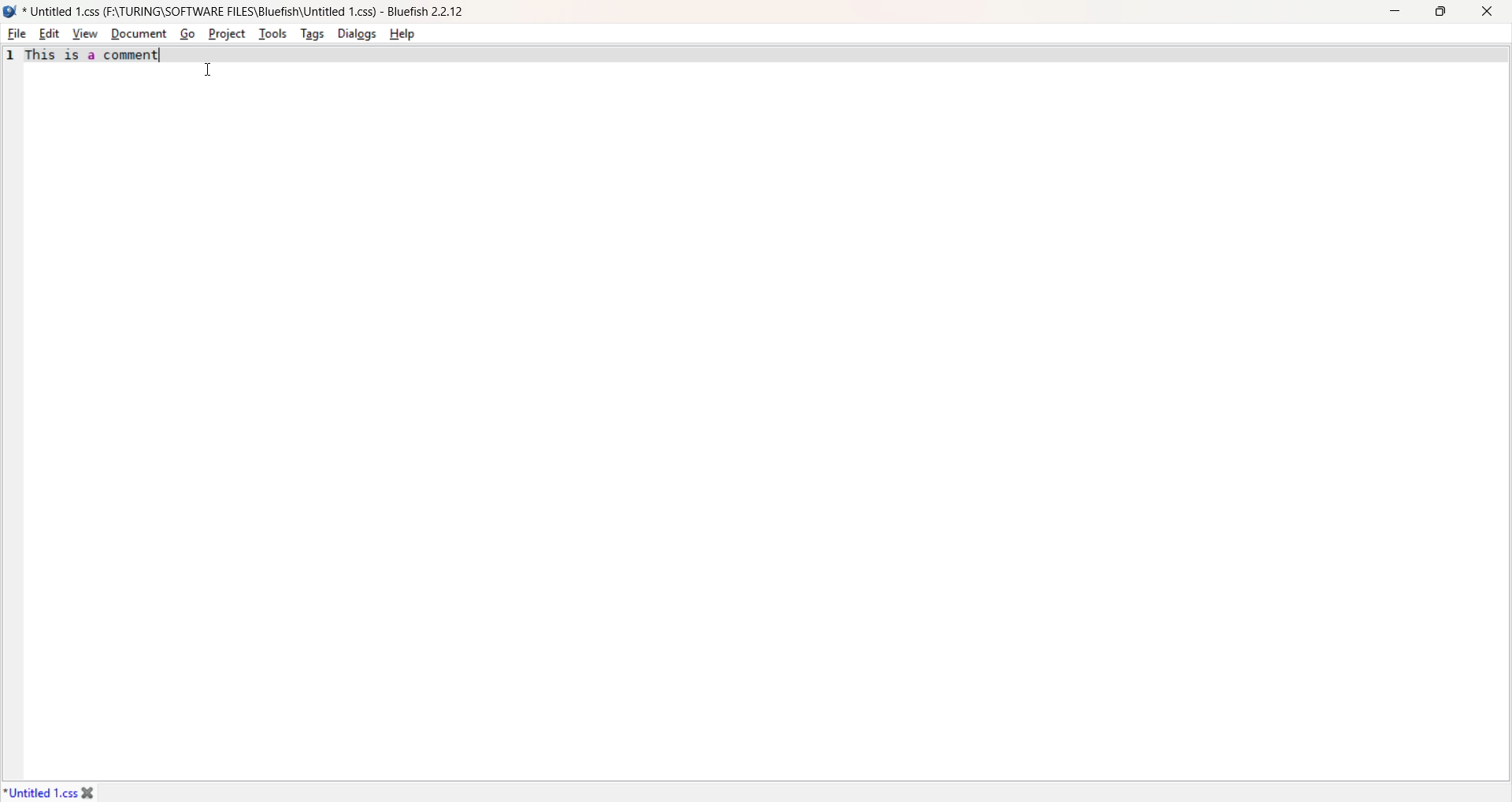 Image resolution: width=1512 pixels, height=802 pixels. Describe the element at coordinates (359, 35) in the screenshot. I see `Dialogs` at that location.